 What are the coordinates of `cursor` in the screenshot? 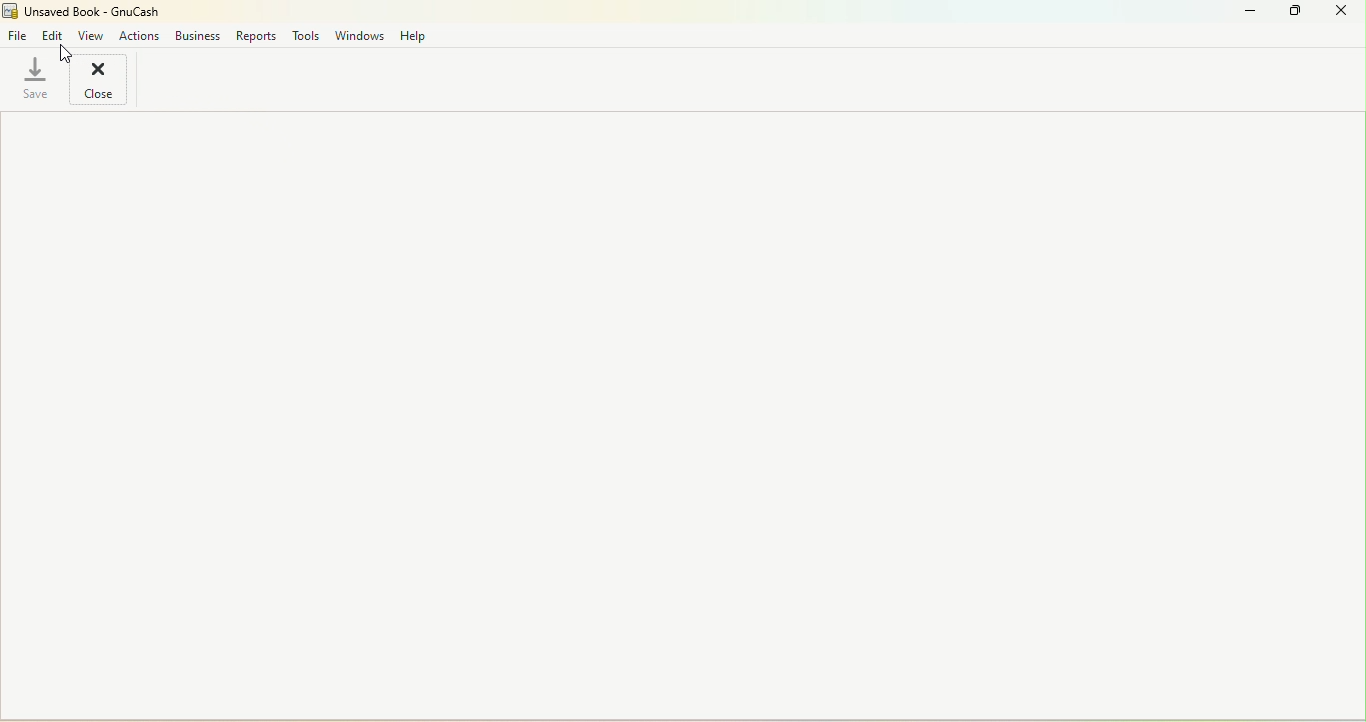 It's located at (61, 57).